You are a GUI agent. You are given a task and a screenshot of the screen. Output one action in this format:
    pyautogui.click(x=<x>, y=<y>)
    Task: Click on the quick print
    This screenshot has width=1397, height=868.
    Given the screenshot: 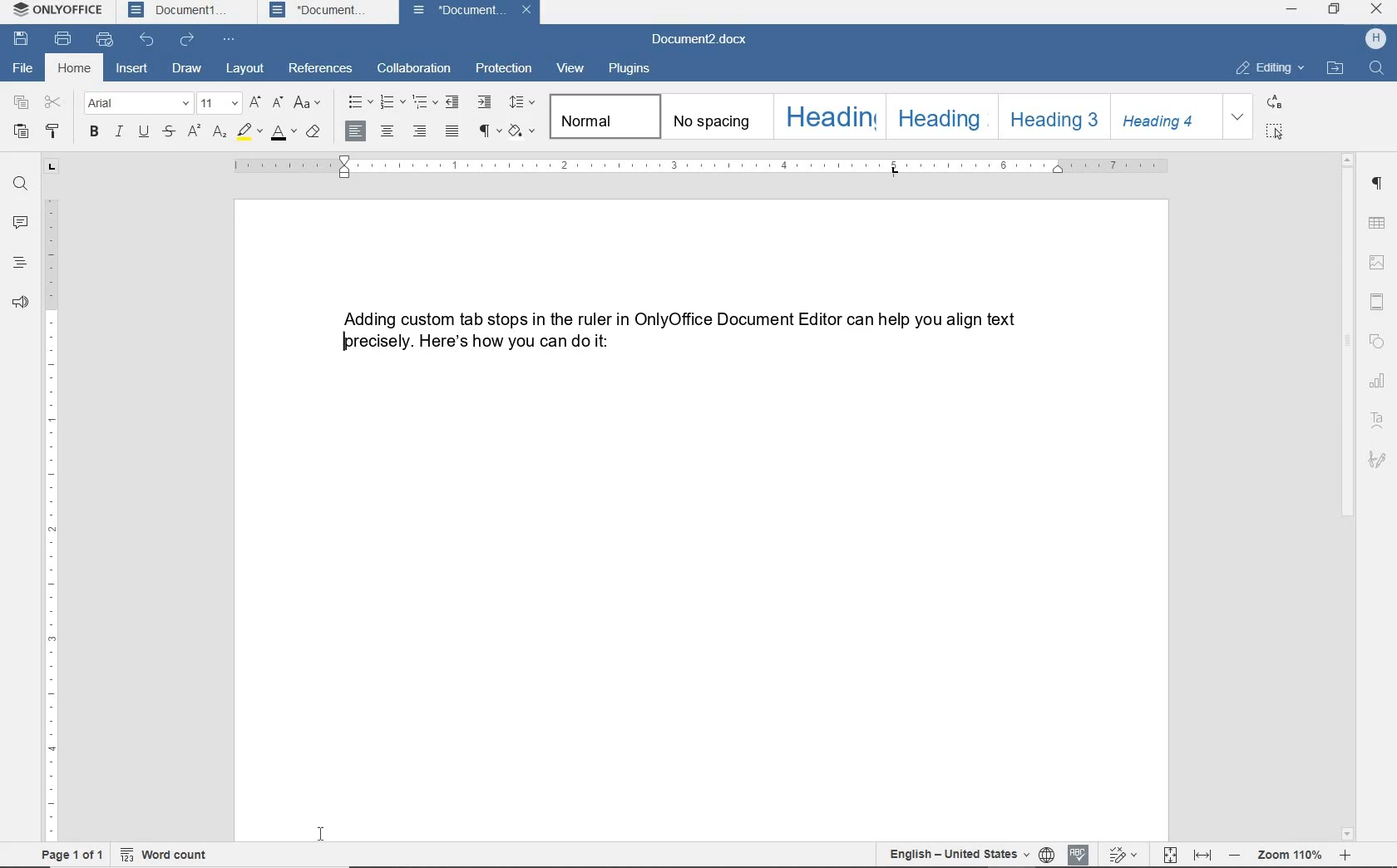 What is the action you would take?
    pyautogui.click(x=105, y=40)
    